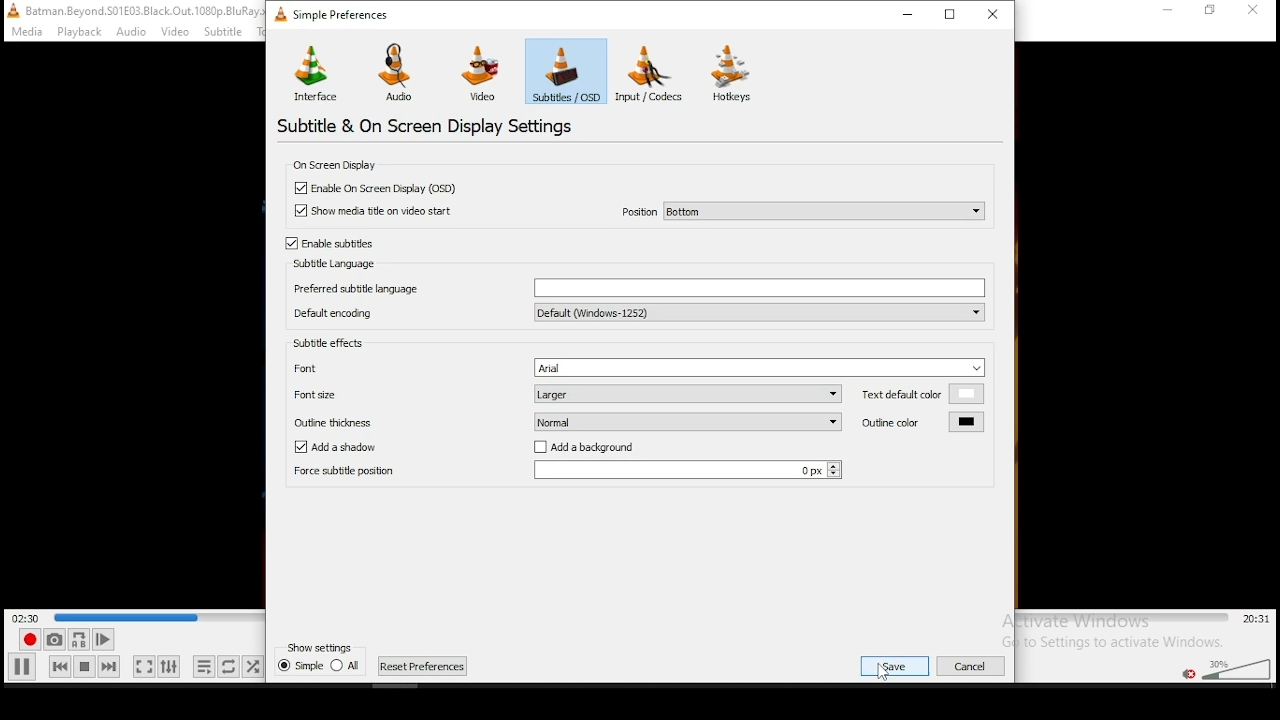 The image size is (1280, 720). I want to click on position Bottom, so click(801, 210).